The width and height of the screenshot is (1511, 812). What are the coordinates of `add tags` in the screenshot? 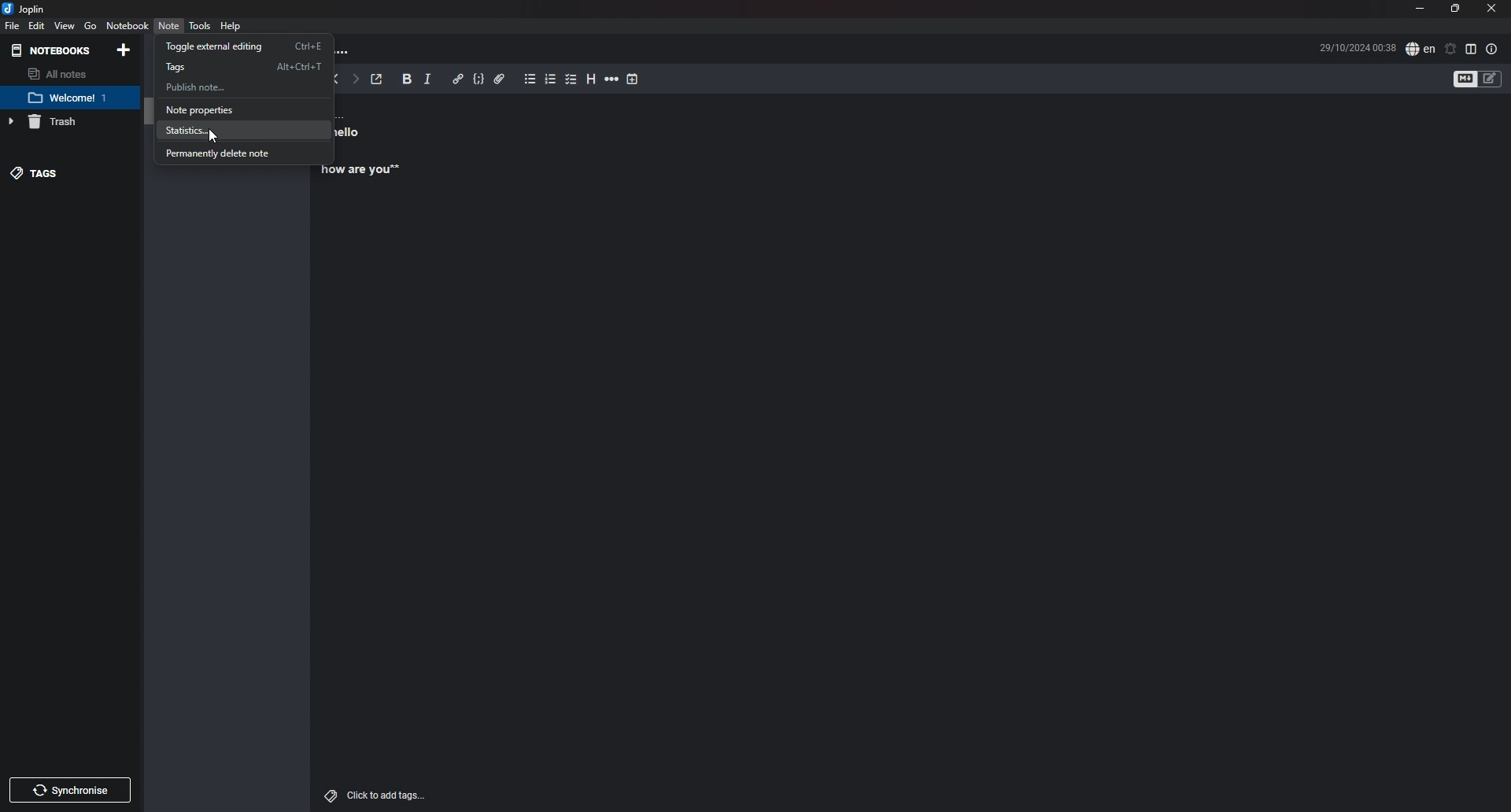 It's located at (379, 795).